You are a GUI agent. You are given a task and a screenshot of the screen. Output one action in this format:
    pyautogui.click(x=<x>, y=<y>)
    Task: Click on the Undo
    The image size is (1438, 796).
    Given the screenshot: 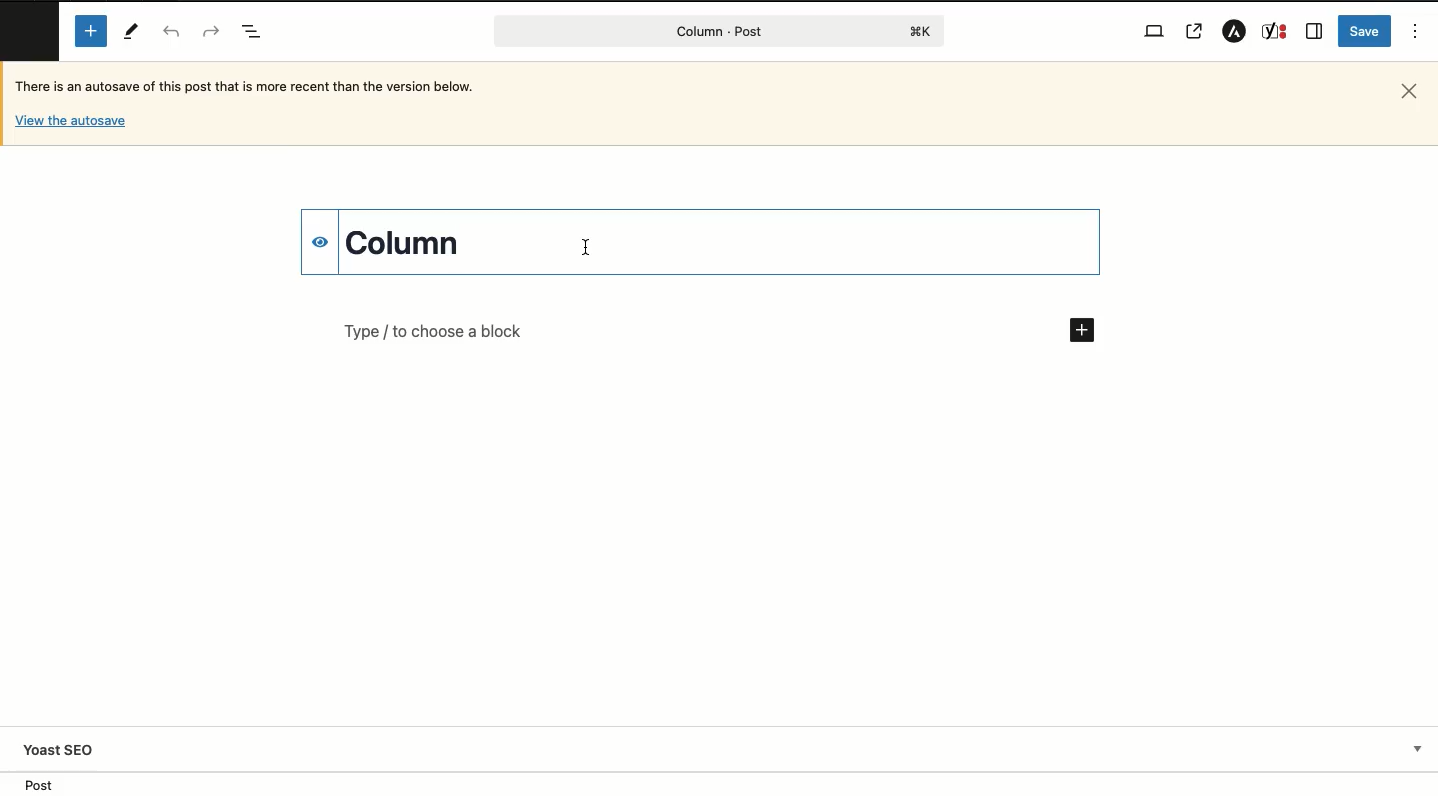 What is the action you would take?
    pyautogui.click(x=172, y=31)
    